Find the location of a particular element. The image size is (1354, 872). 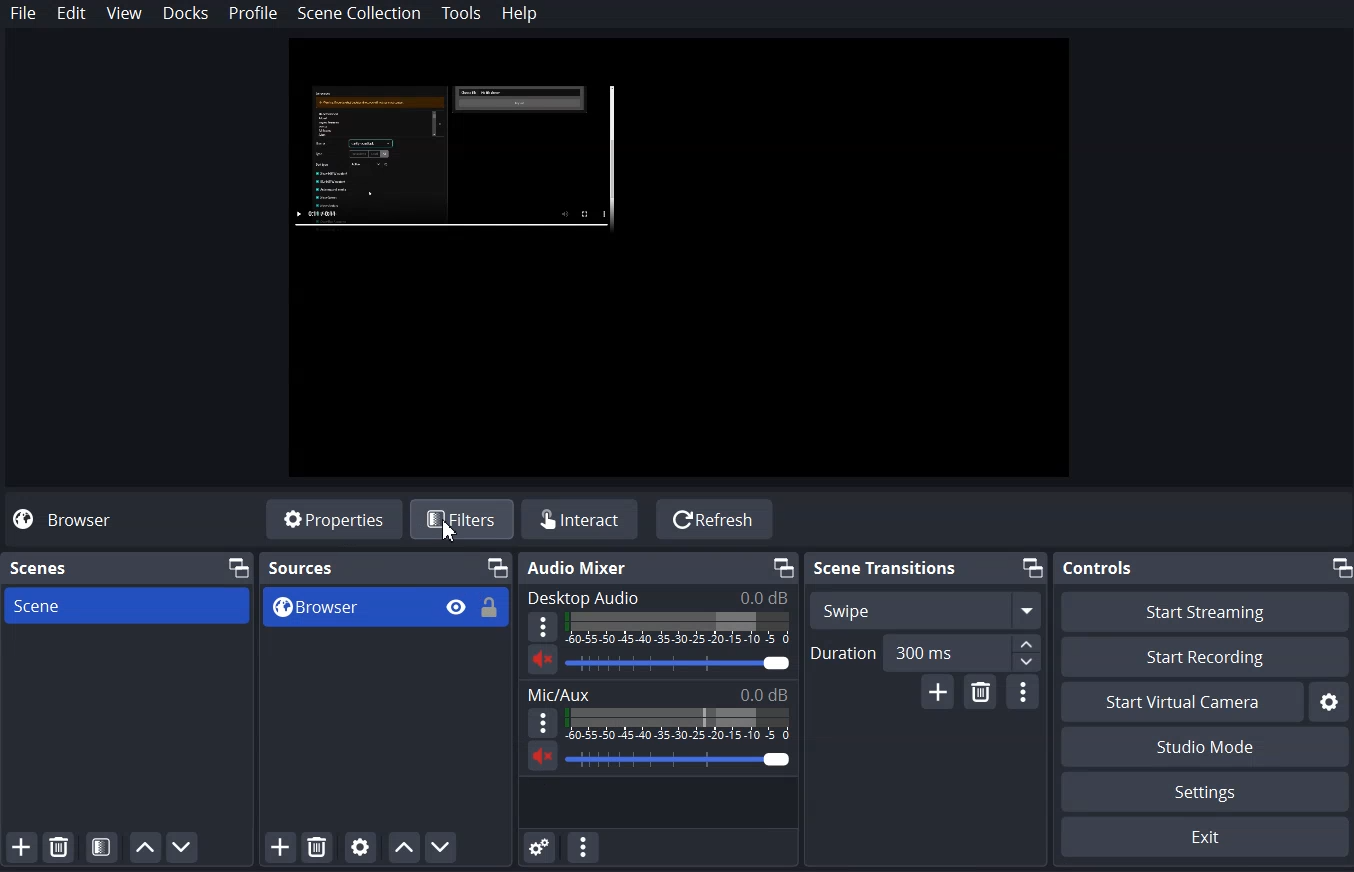

Browse is located at coordinates (67, 520).